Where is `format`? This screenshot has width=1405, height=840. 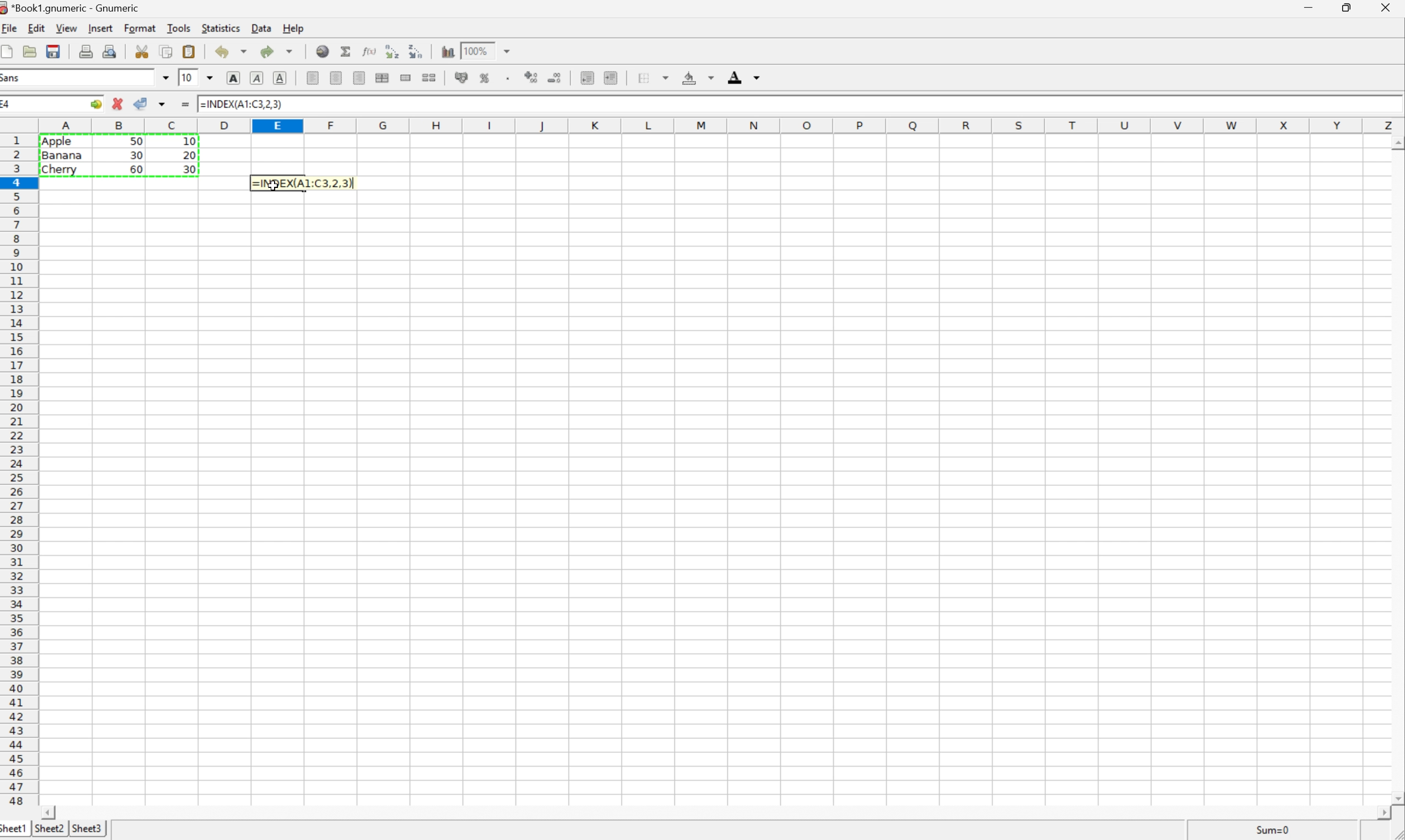
format is located at coordinates (140, 28).